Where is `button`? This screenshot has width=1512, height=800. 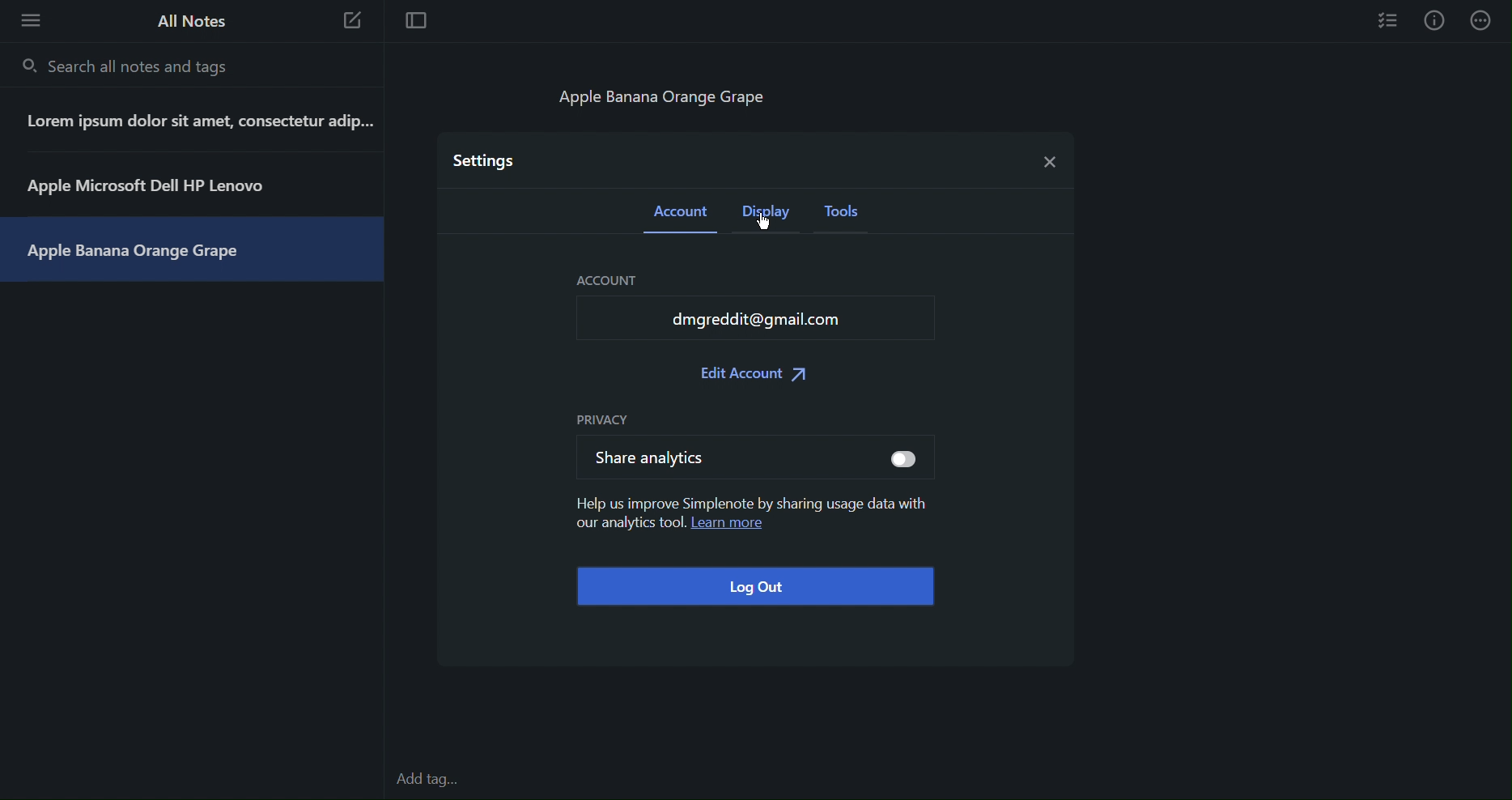
button is located at coordinates (906, 461).